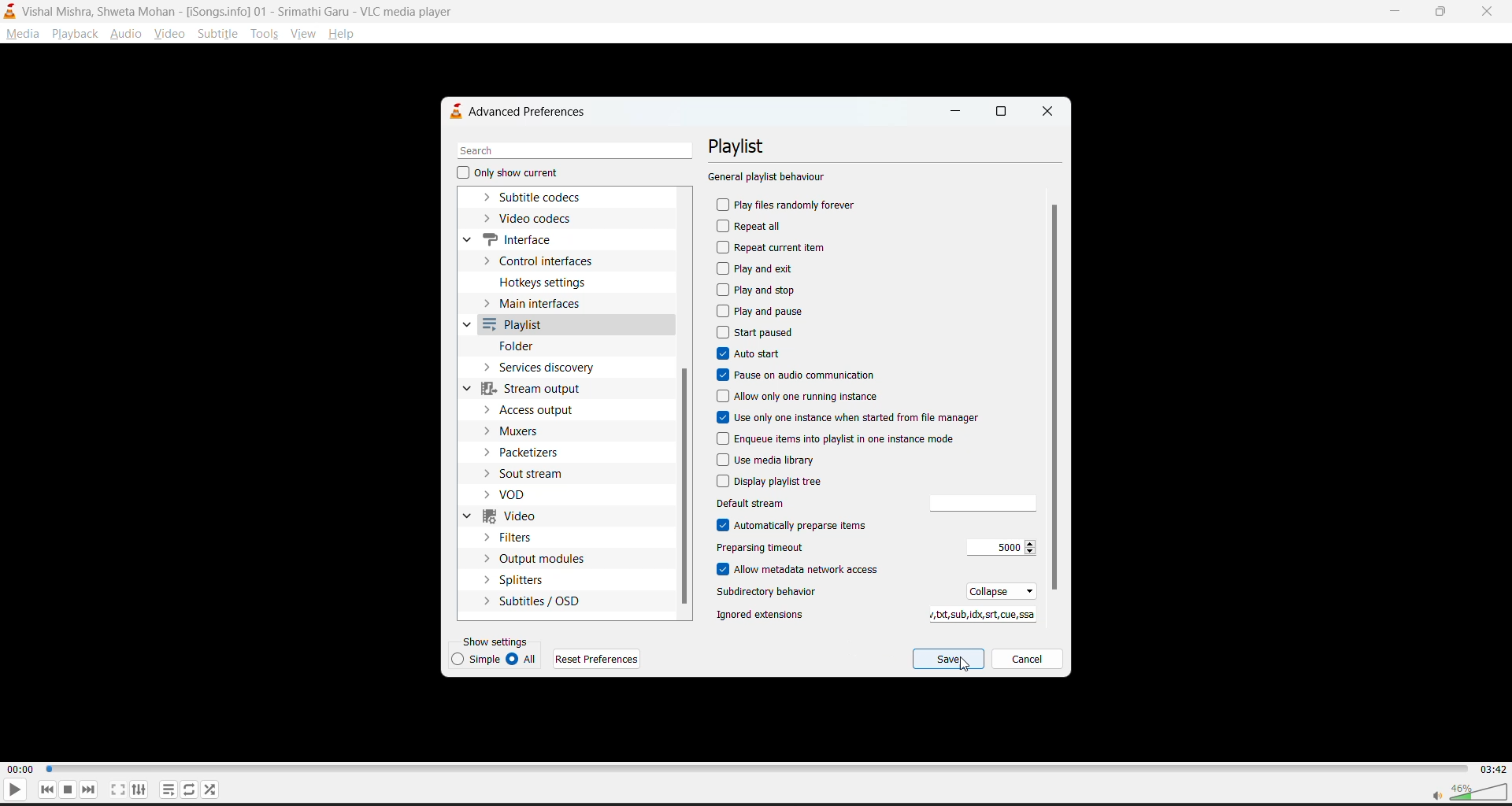 Image resolution: width=1512 pixels, height=806 pixels. I want to click on cursor, so click(967, 668).